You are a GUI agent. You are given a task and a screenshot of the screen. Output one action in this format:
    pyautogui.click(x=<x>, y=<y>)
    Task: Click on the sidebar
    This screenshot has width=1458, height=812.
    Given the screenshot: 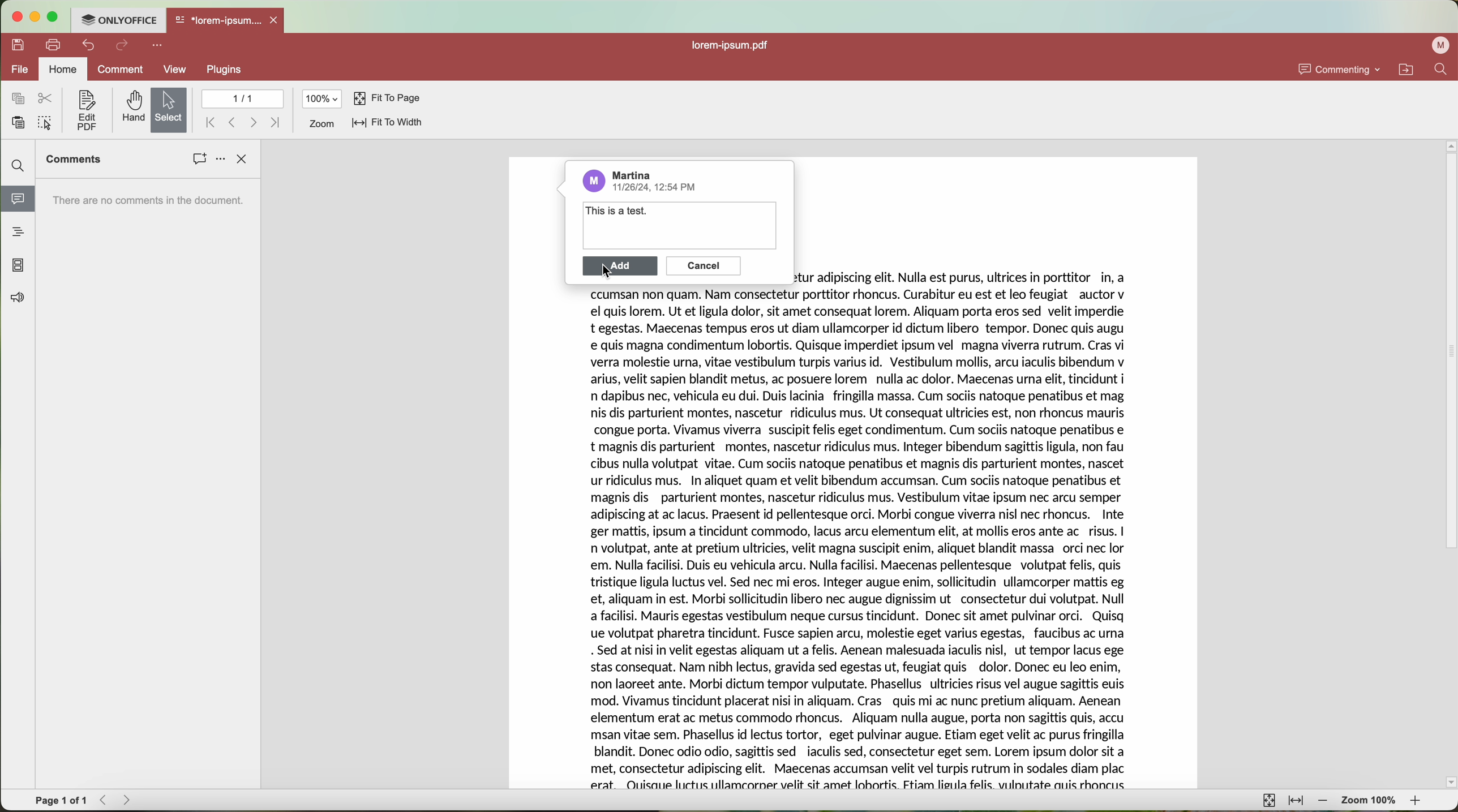 What is the action you would take?
    pyautogui.click(x=148, y=484)
    